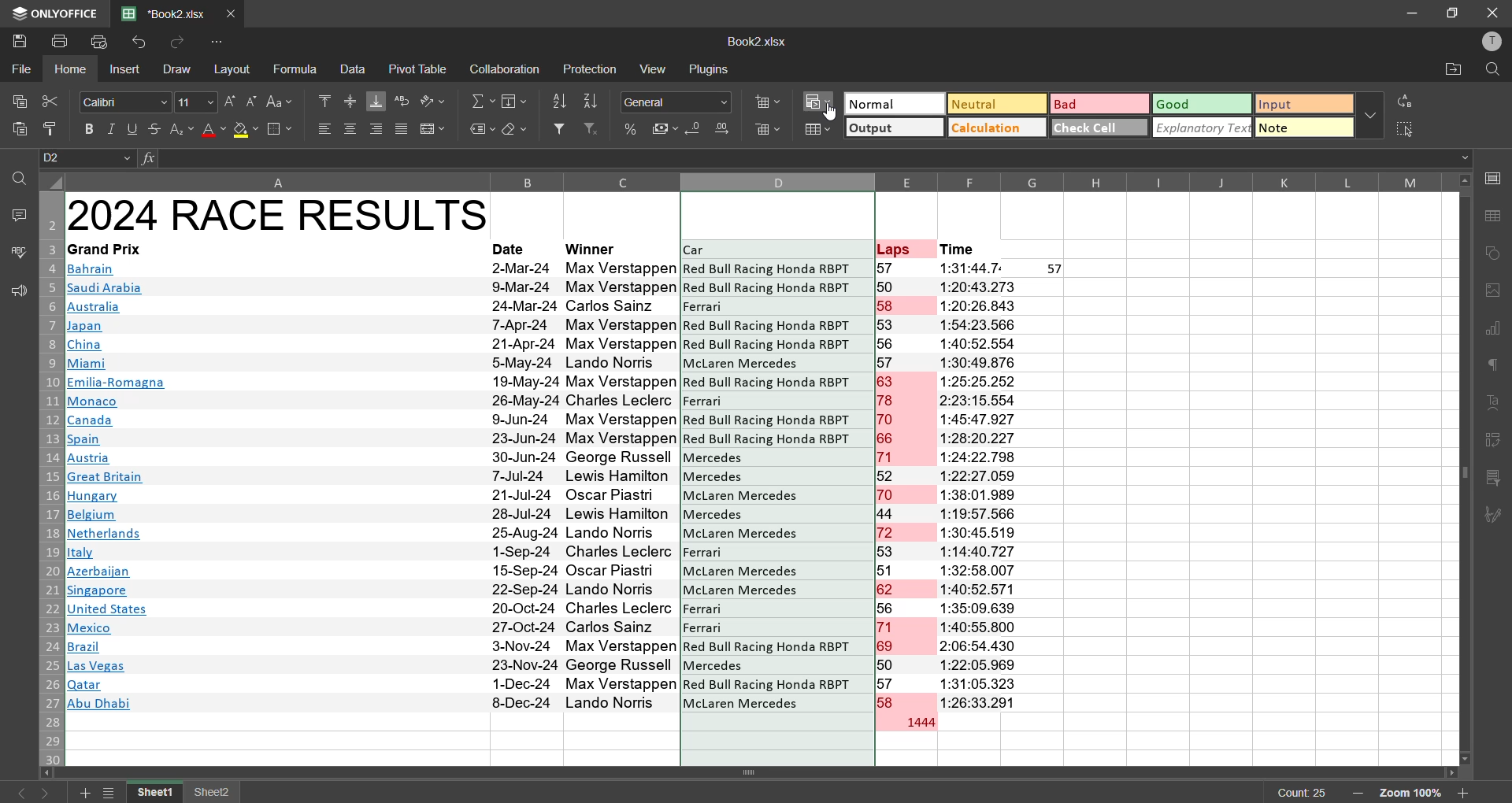 Image resolution: width=1512 pixels, height=803 pixels. I want to click on formula, so click(298, 69).